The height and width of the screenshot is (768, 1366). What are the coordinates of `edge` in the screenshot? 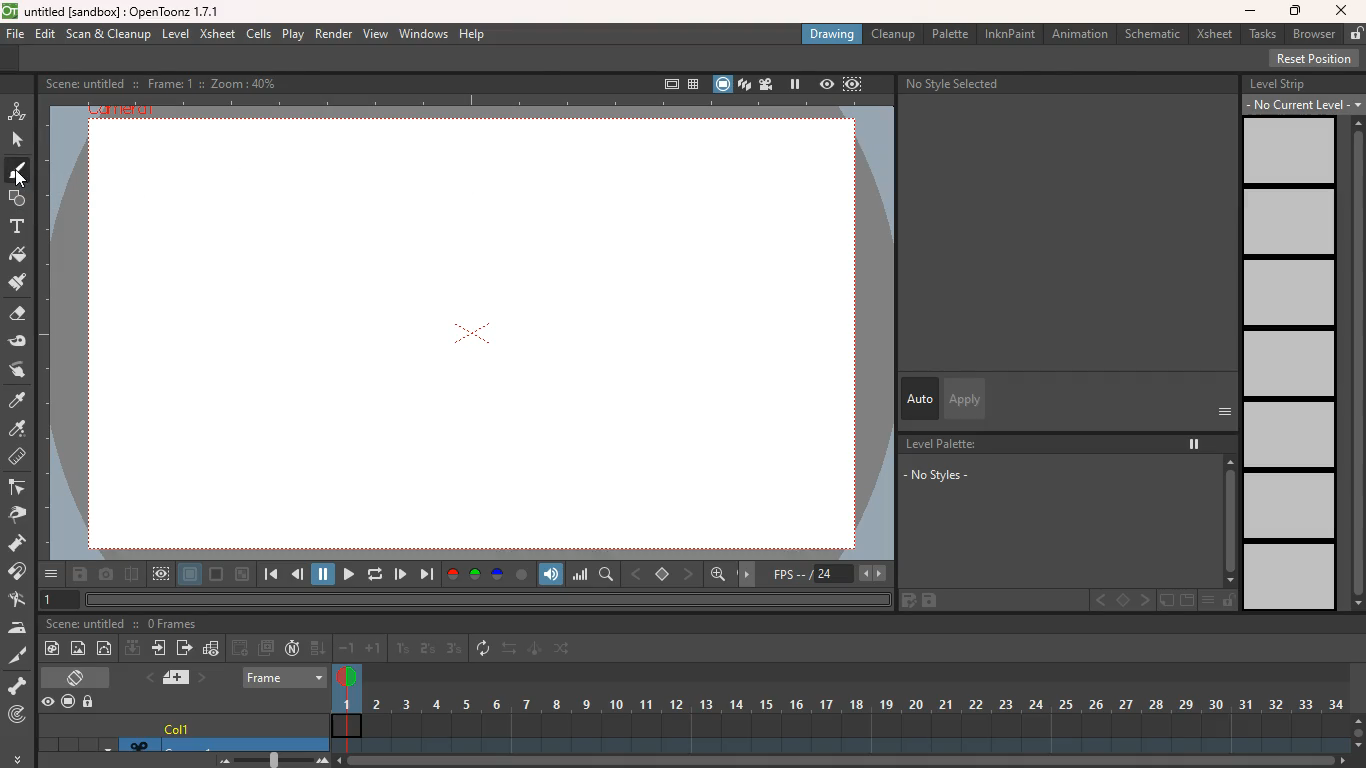 It's located at (20, 489).